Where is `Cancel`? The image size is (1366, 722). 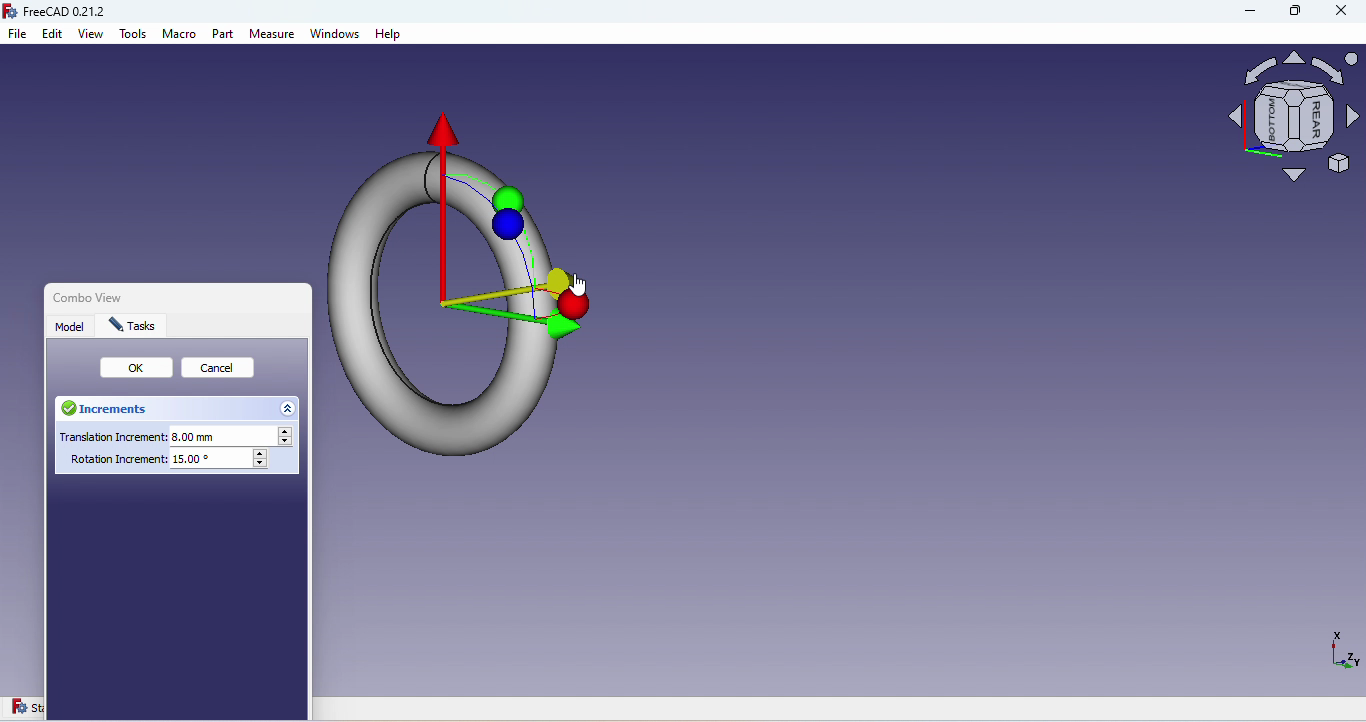 Cancel is located at coordinates (223, 370).